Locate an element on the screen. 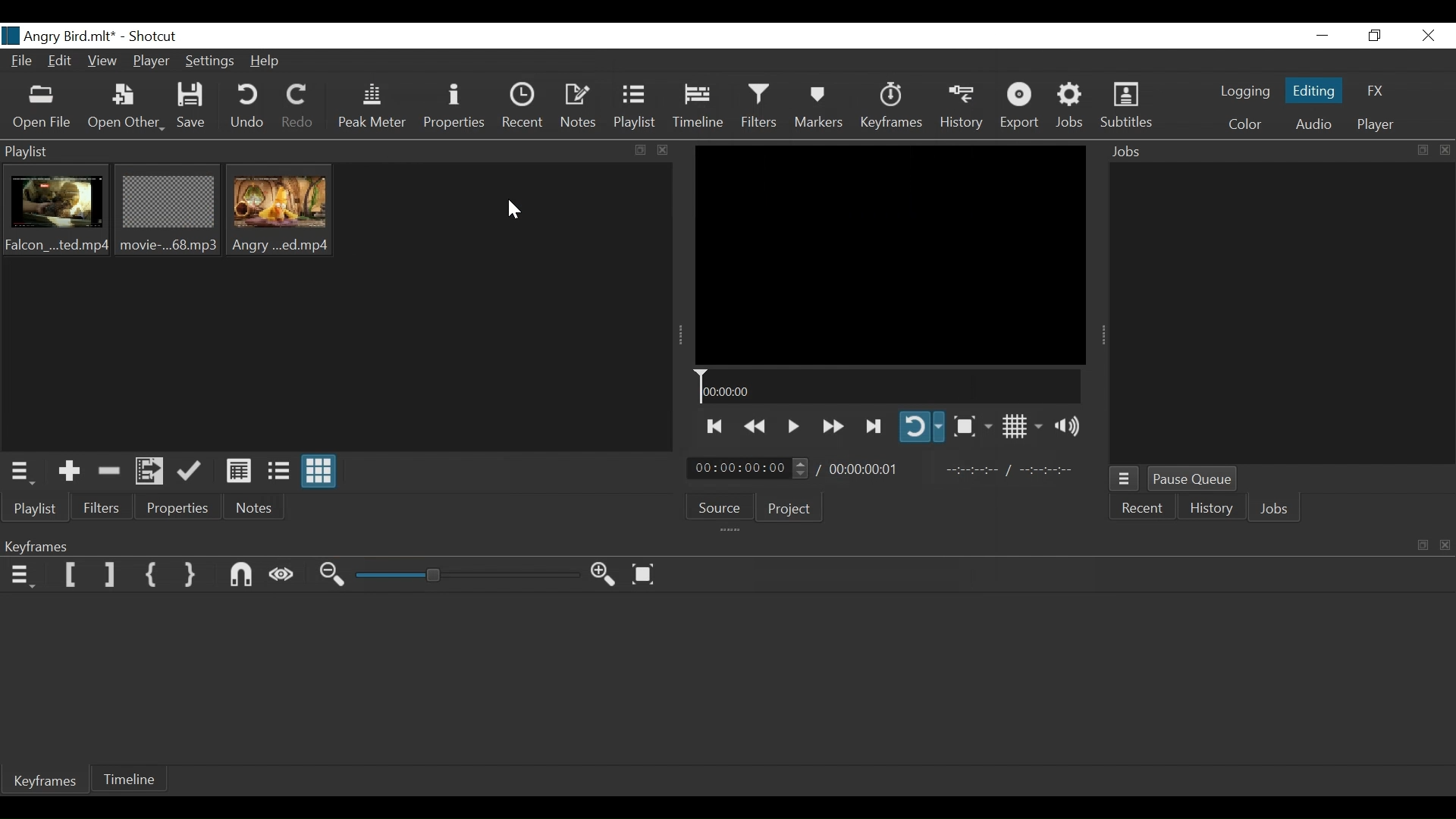 The width and height of the screenshot is (1456, 819). History is located at coordinates (962, 105).